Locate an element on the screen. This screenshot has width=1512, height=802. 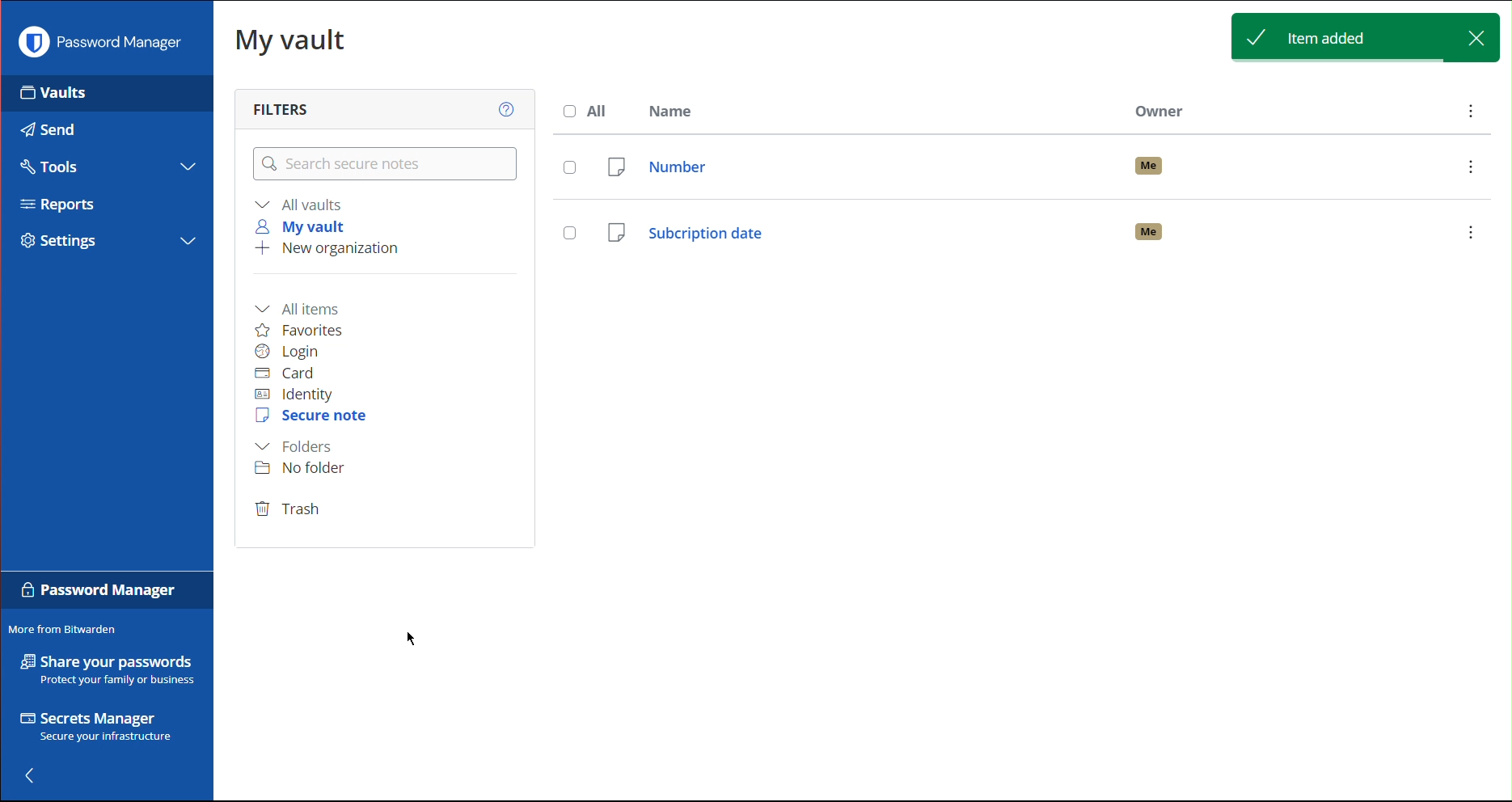
Number is located at coordinates (1051, 167).